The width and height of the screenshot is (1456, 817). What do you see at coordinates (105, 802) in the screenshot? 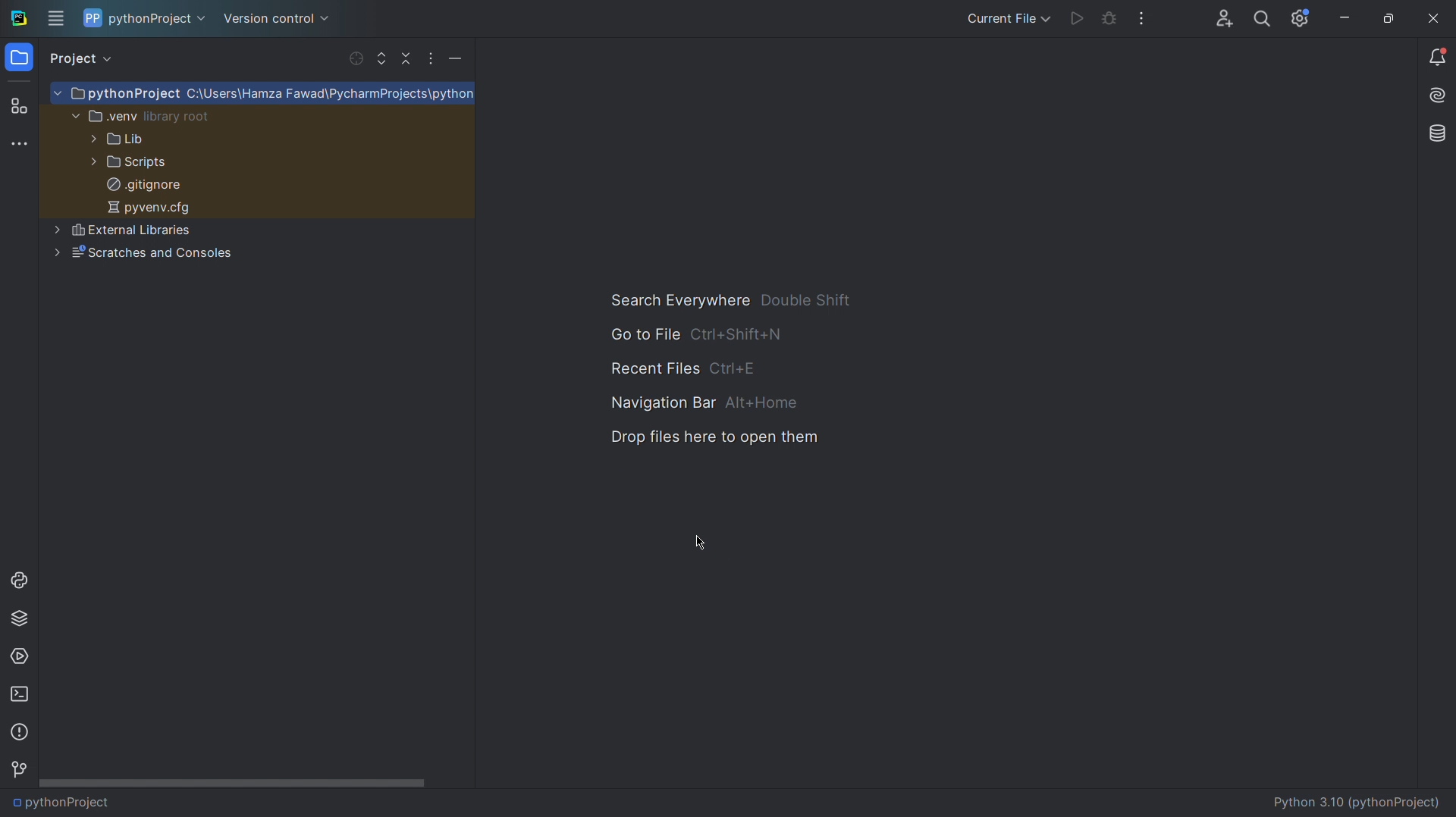
I see `Python project` at bounding box center [105, 802].